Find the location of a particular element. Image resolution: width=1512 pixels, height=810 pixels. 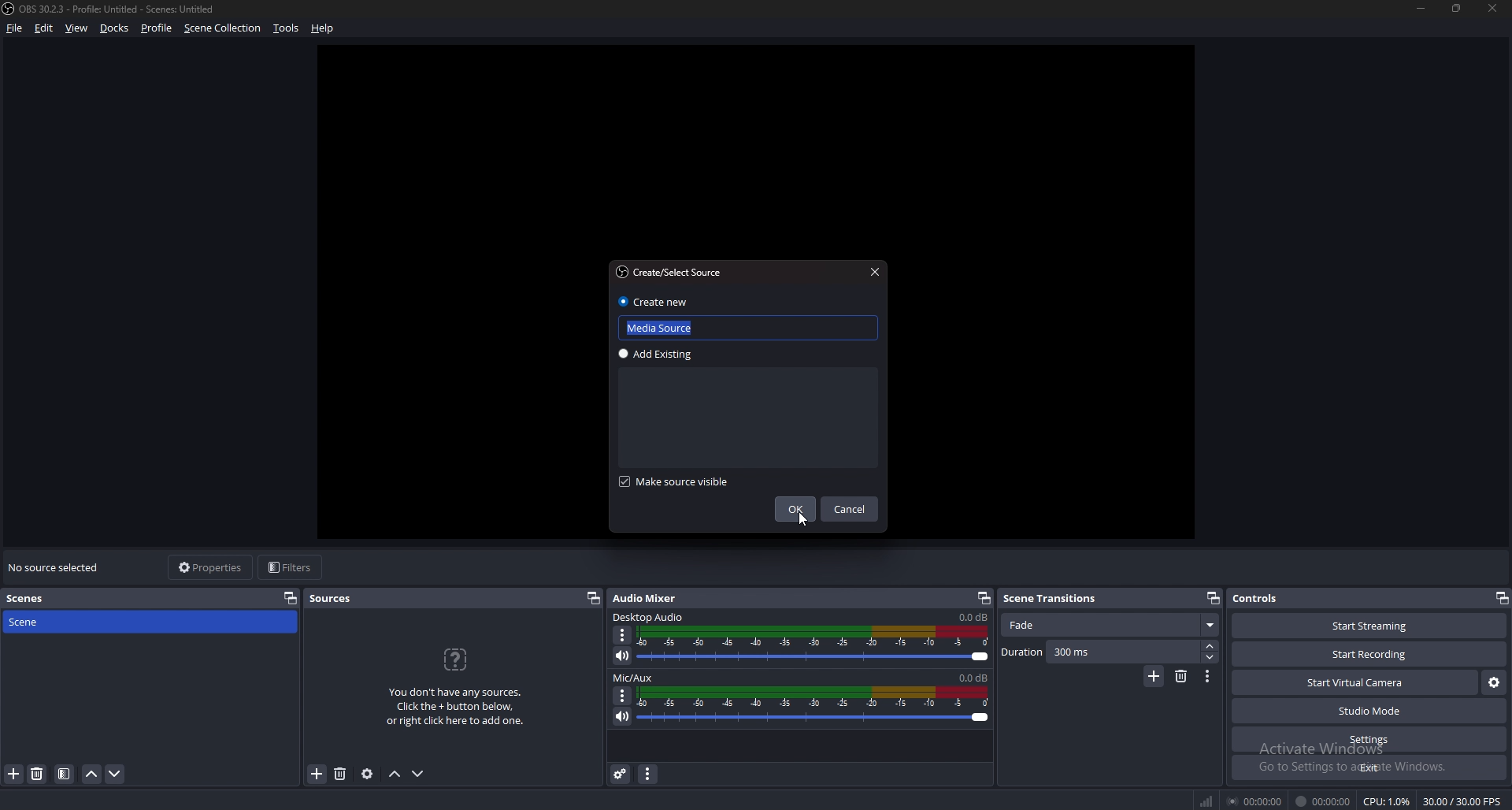

Profile is located at coordinates (156, 28).